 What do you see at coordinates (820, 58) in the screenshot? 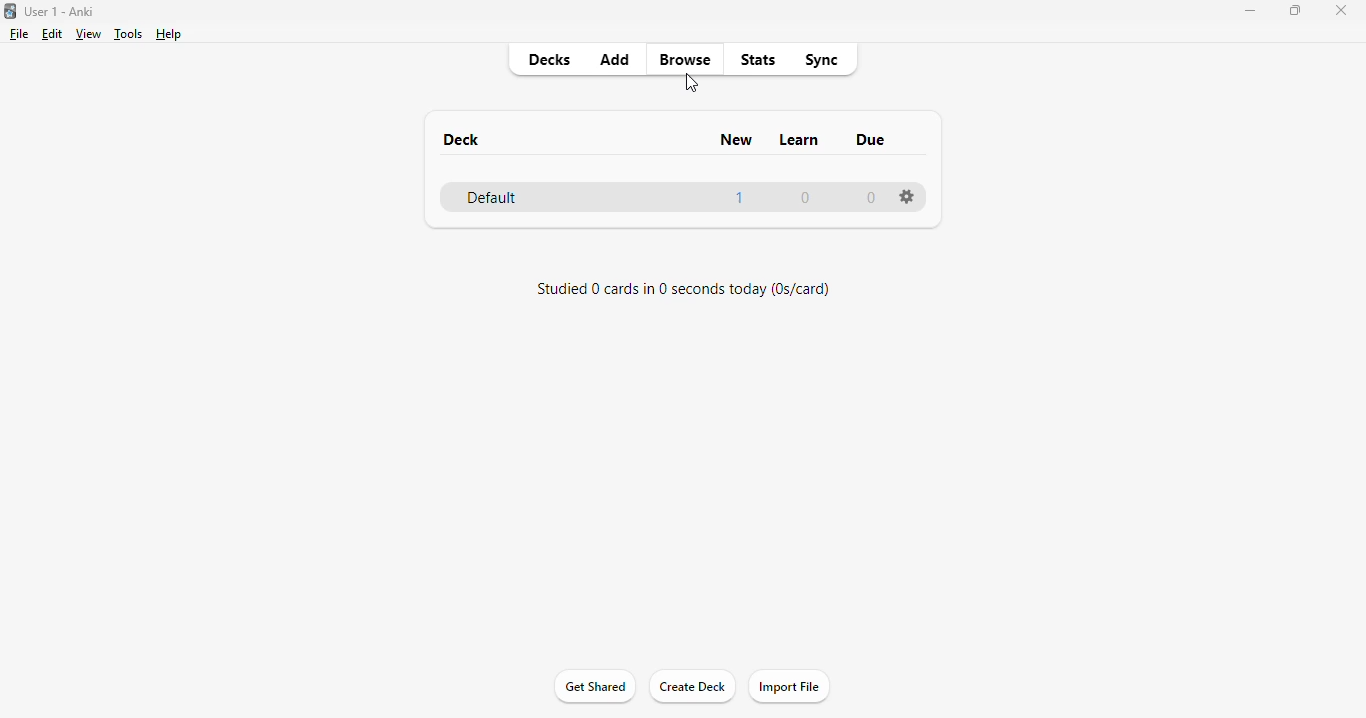
I see `sync` at bounding box center [820, 58].